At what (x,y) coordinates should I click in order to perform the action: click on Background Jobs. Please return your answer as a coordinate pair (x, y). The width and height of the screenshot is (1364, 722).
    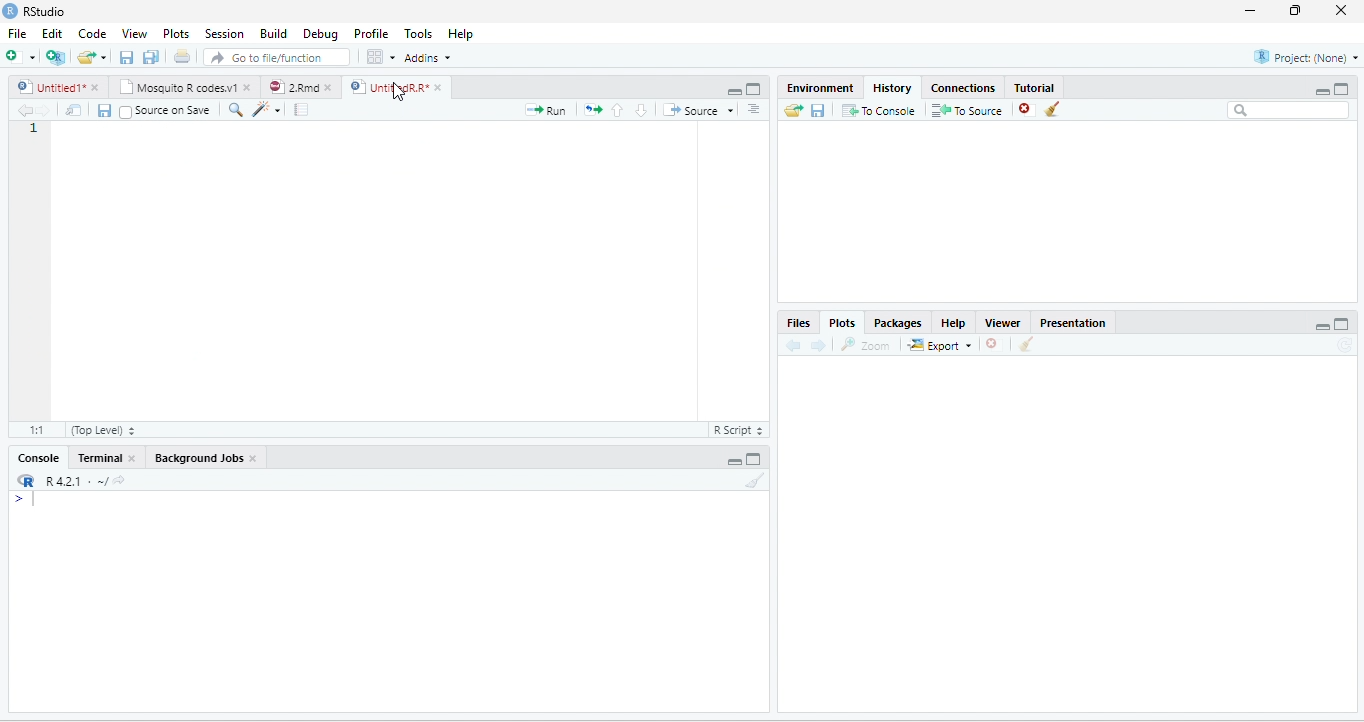
    Looking at the image, I should click on (197, 459).